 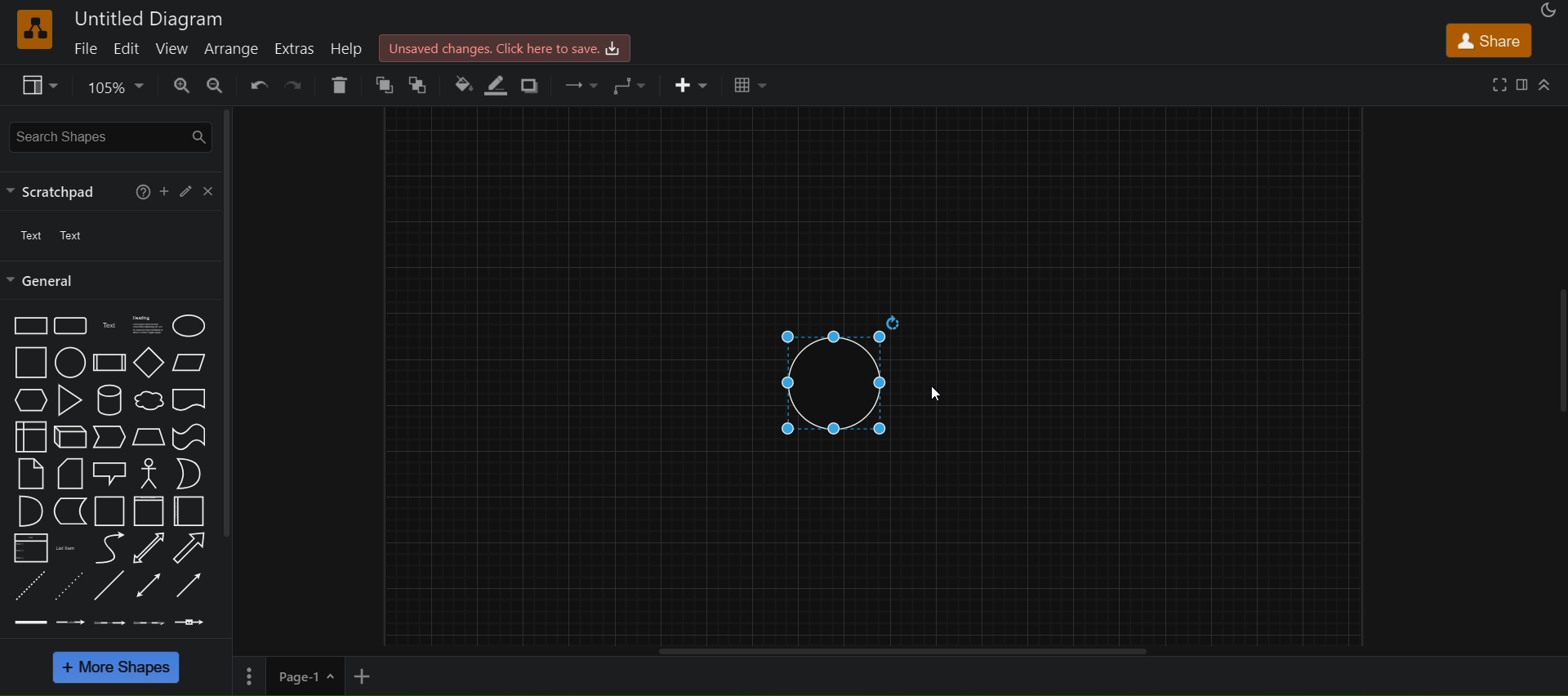 I want to click on process, so click(x=107, y=363).